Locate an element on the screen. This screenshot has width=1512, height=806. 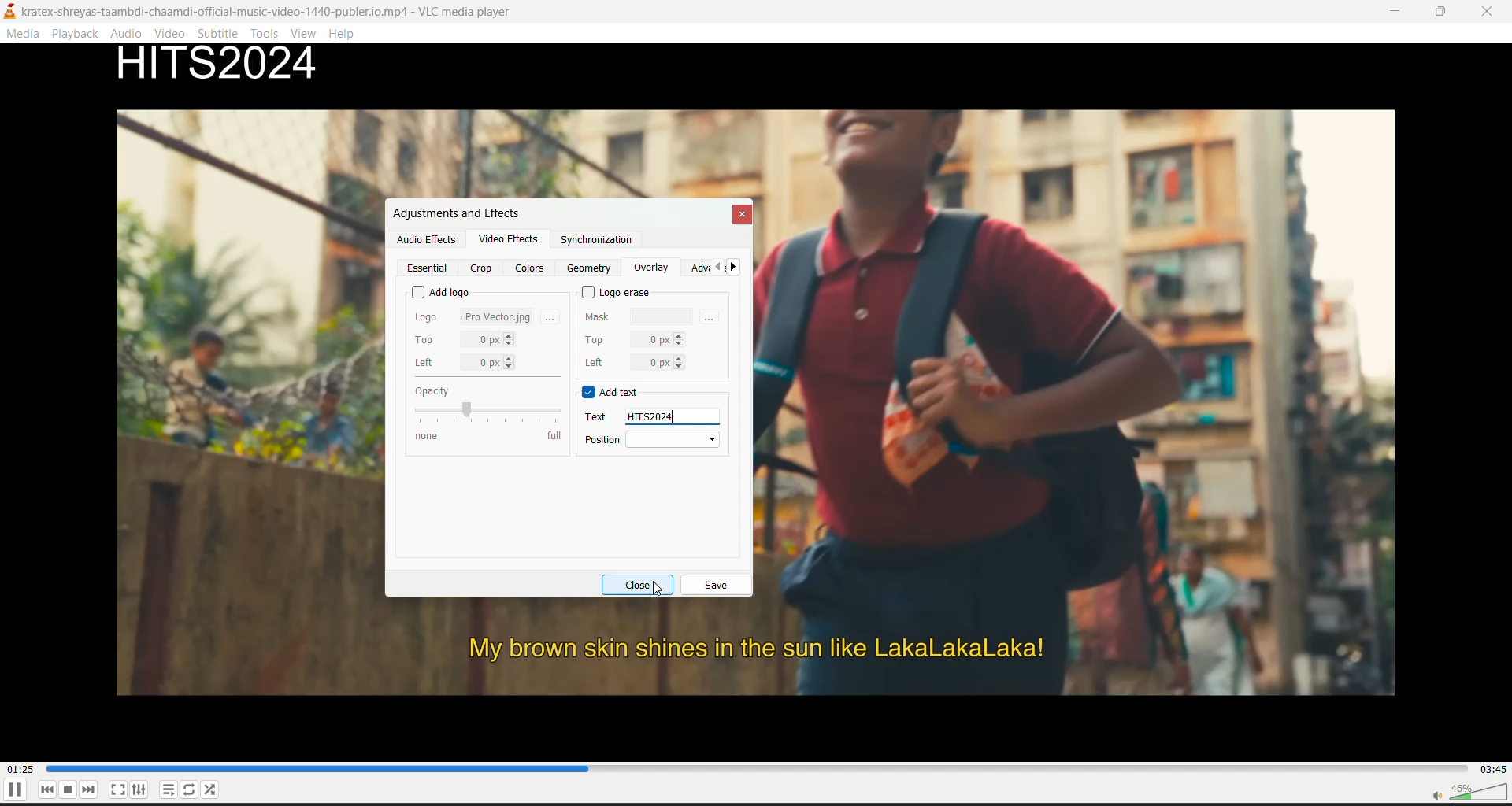
media is located at coordinates (24, 37).